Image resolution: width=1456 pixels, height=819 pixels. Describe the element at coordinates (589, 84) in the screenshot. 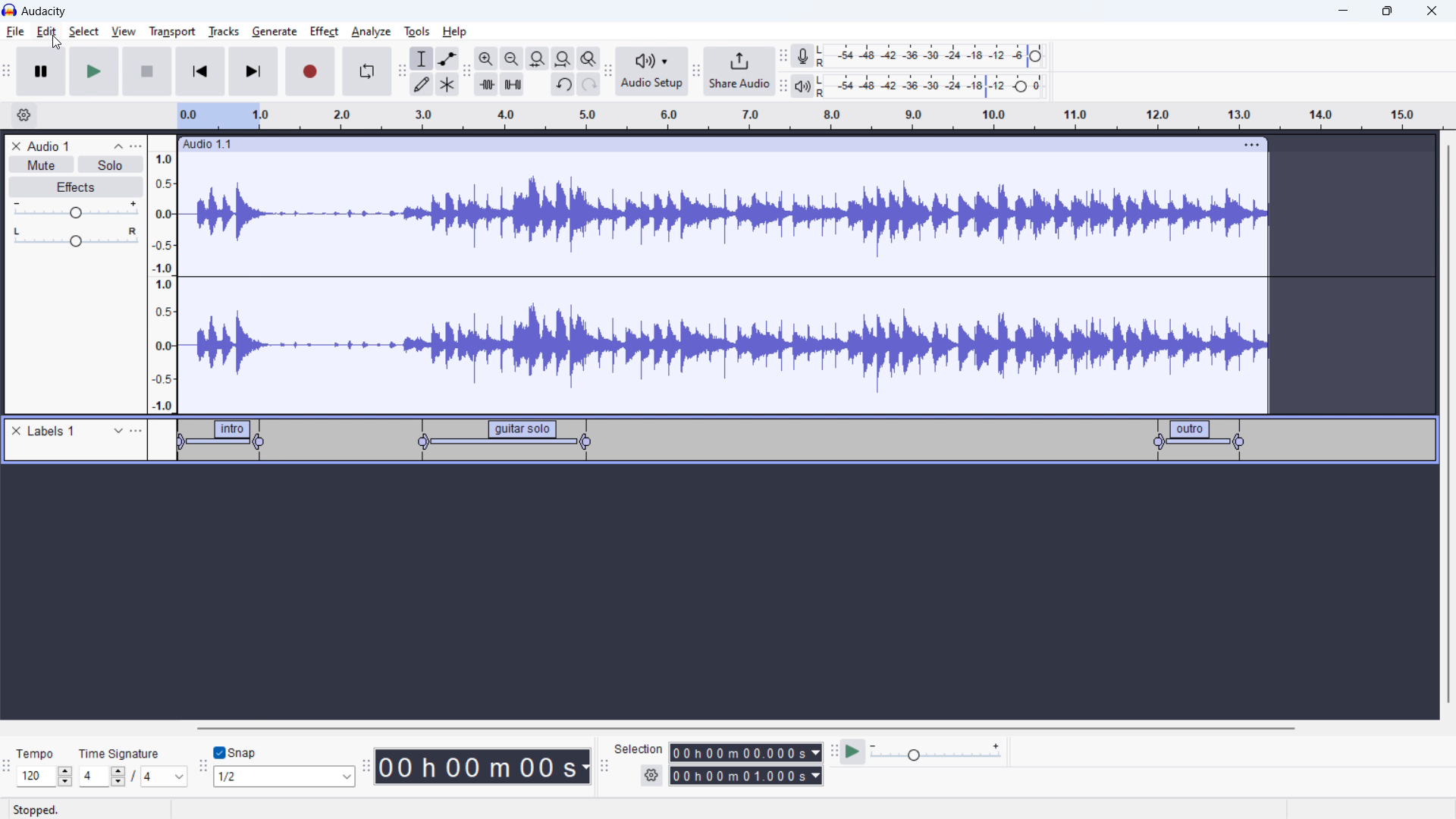

I see `undo` at that location.